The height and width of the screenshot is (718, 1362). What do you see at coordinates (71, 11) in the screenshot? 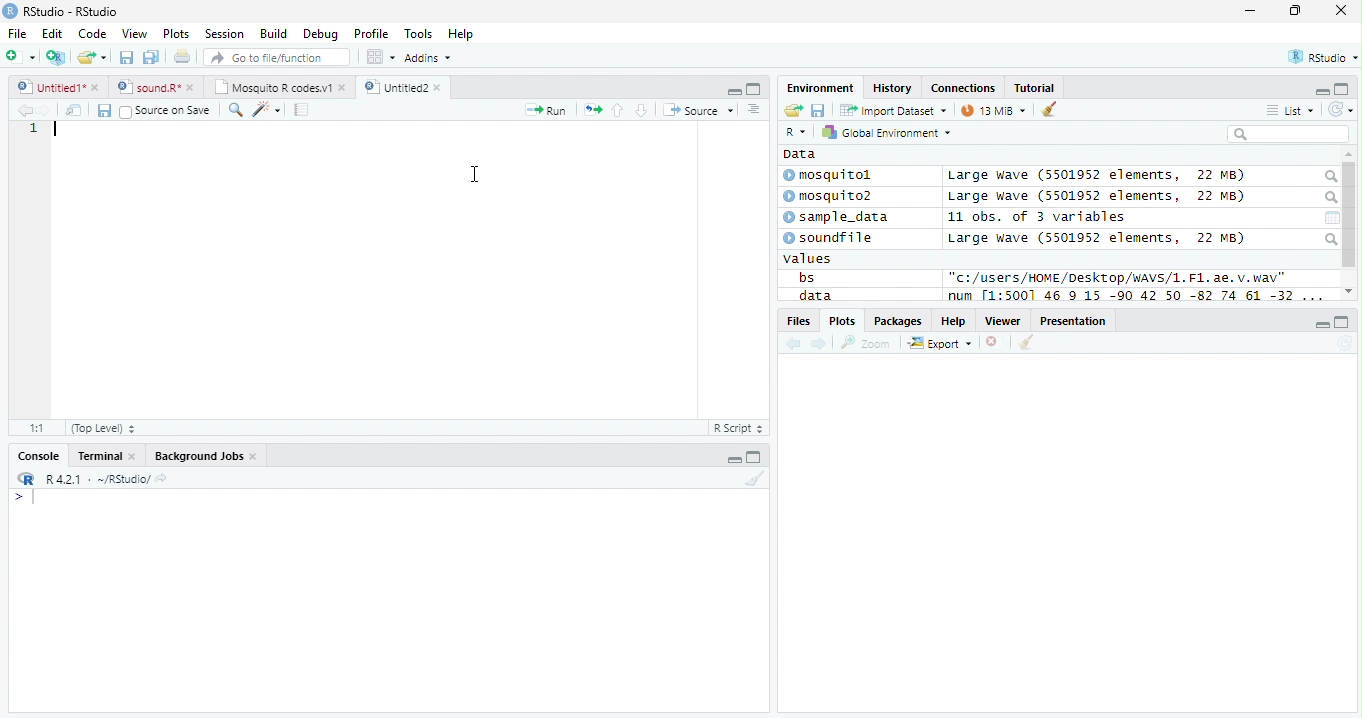
I see `RStudio - RStudio` at bounding box center [71, 11].